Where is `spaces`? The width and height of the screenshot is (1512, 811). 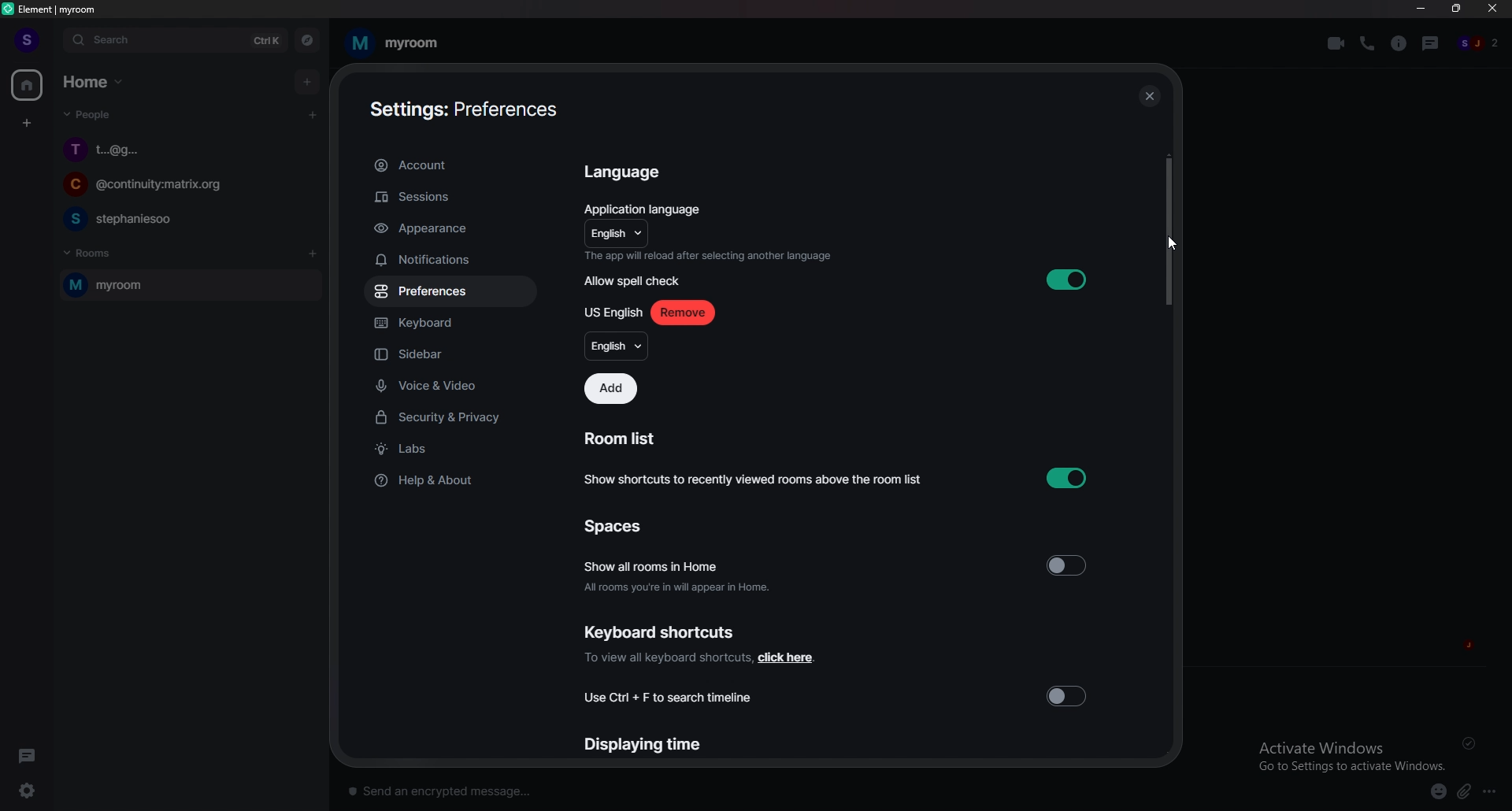 spaces is located at coordinates (615, 529).